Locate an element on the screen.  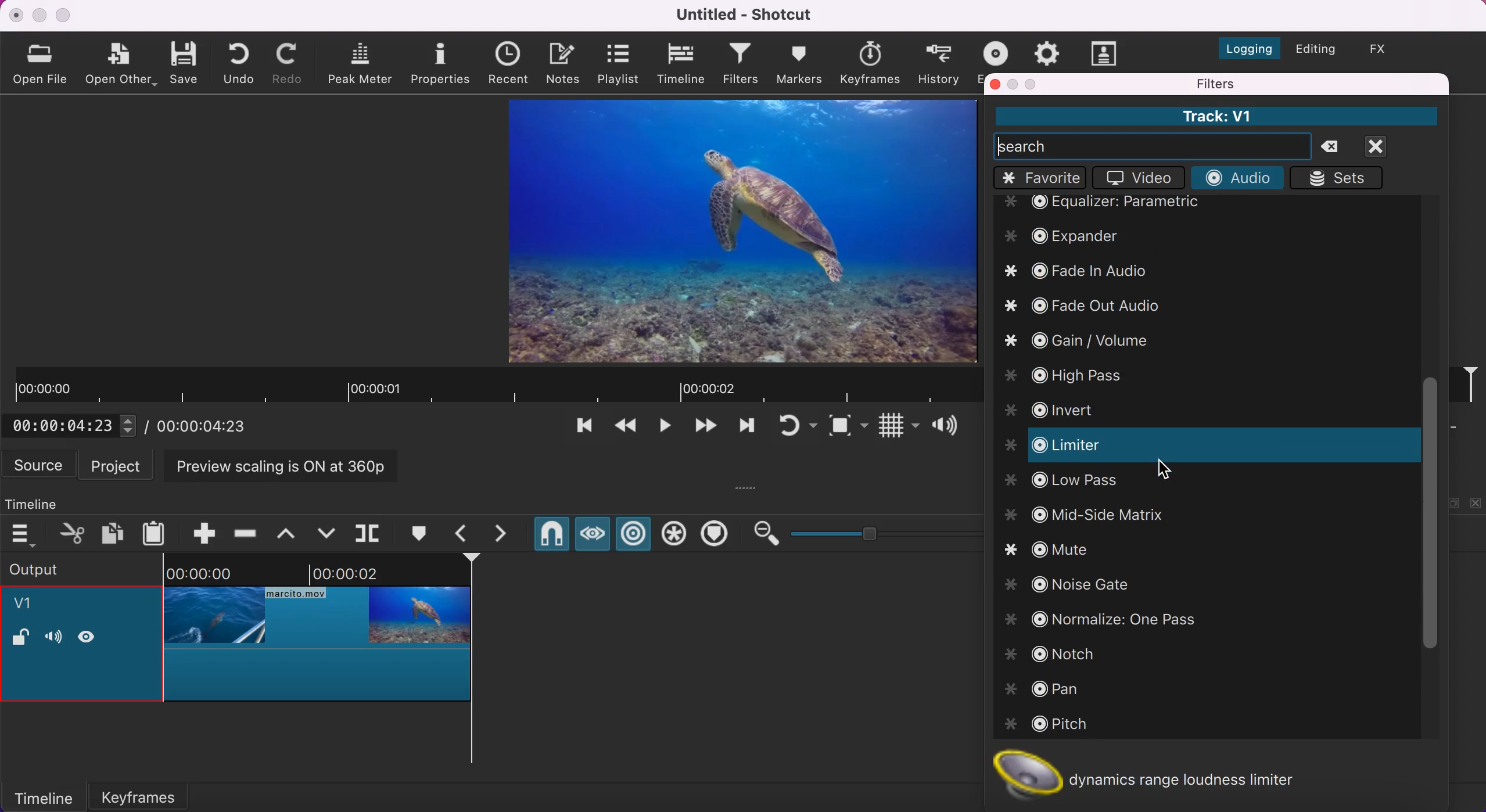
keyframes is located at coordinates (153, 793).